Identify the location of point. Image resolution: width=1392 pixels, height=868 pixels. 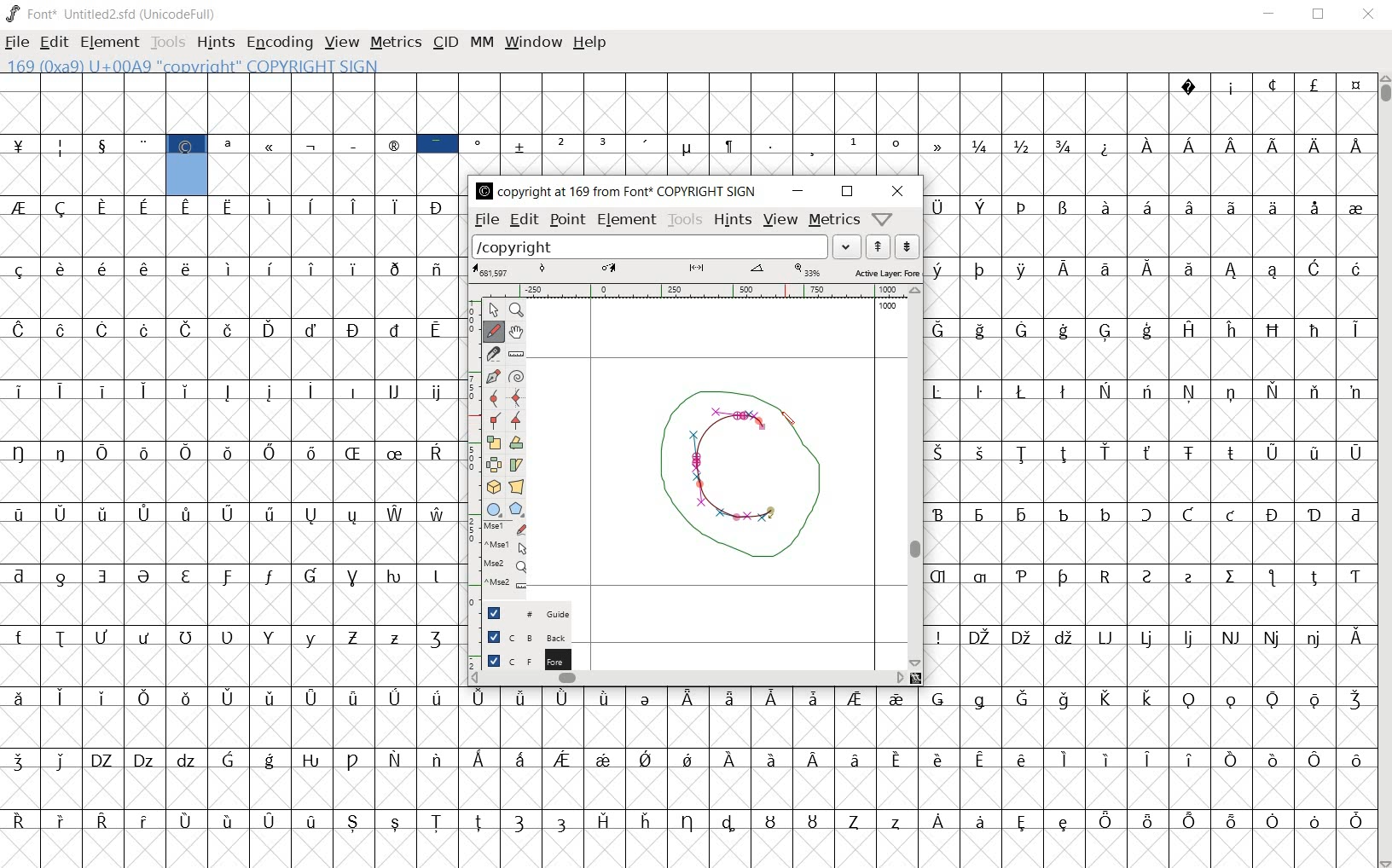
(566, 220).